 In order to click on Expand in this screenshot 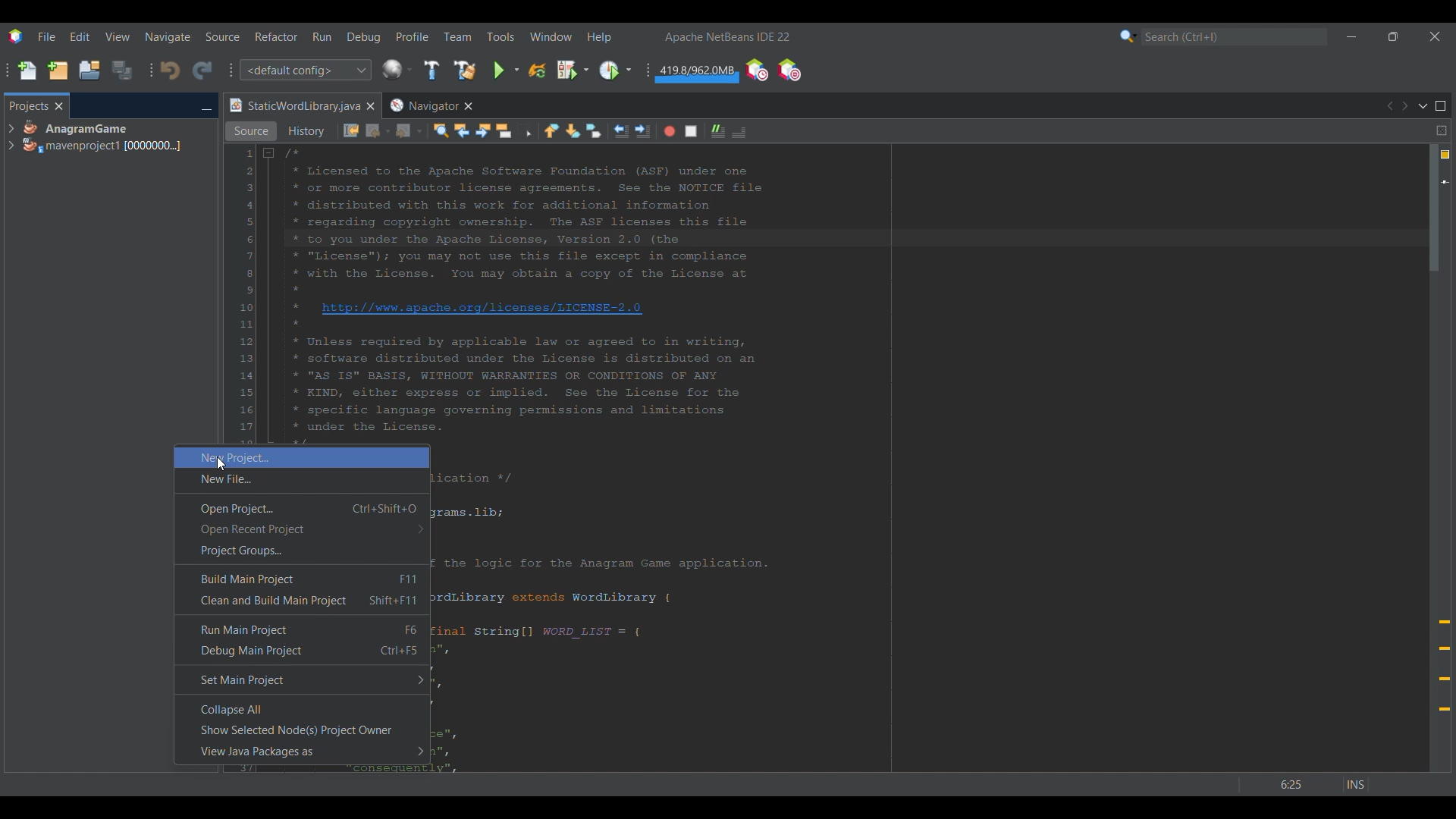, I will do `click(11, 137)`.